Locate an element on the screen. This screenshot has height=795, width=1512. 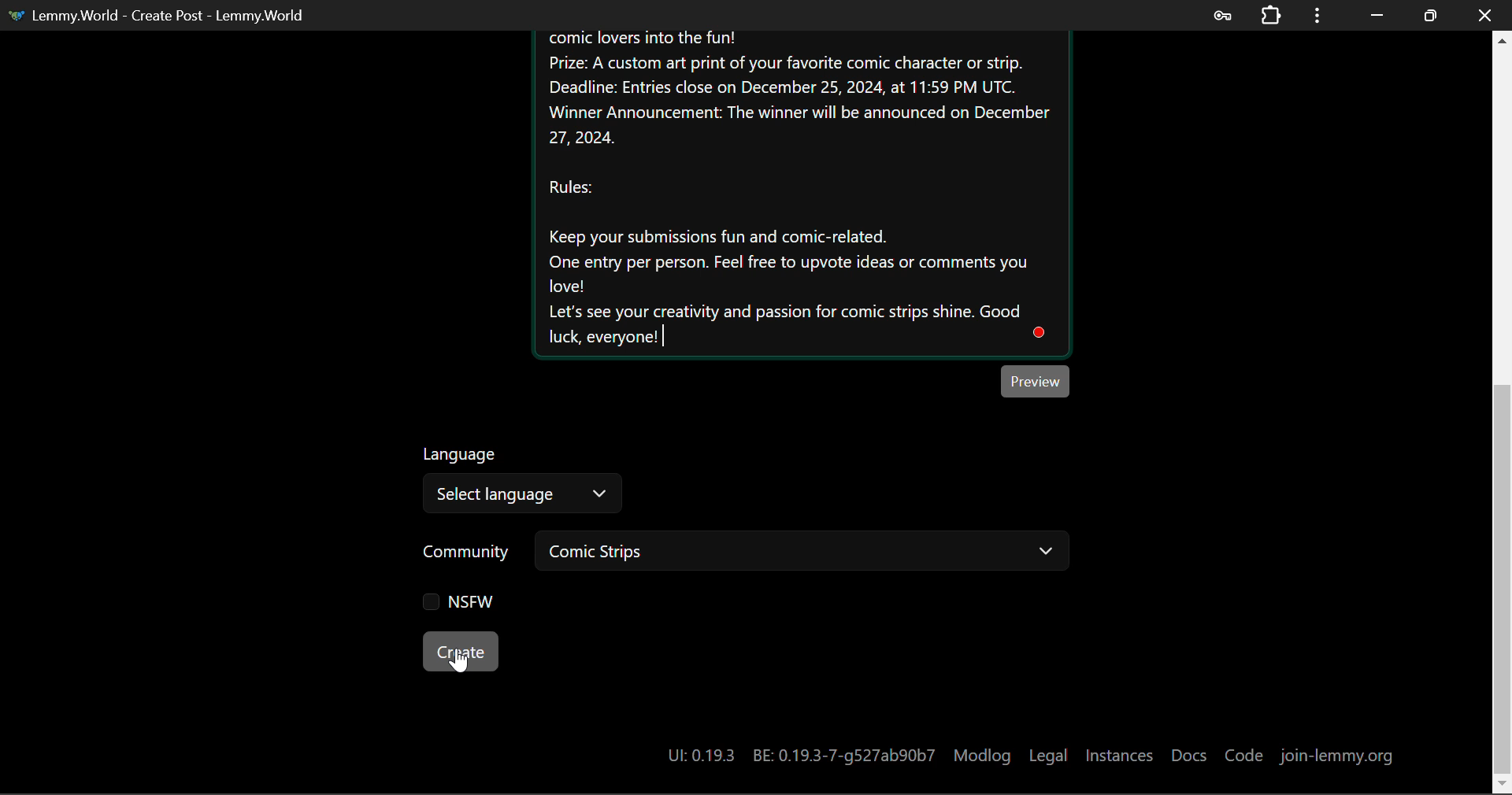
Preview is located at coordinates (1036, 381).